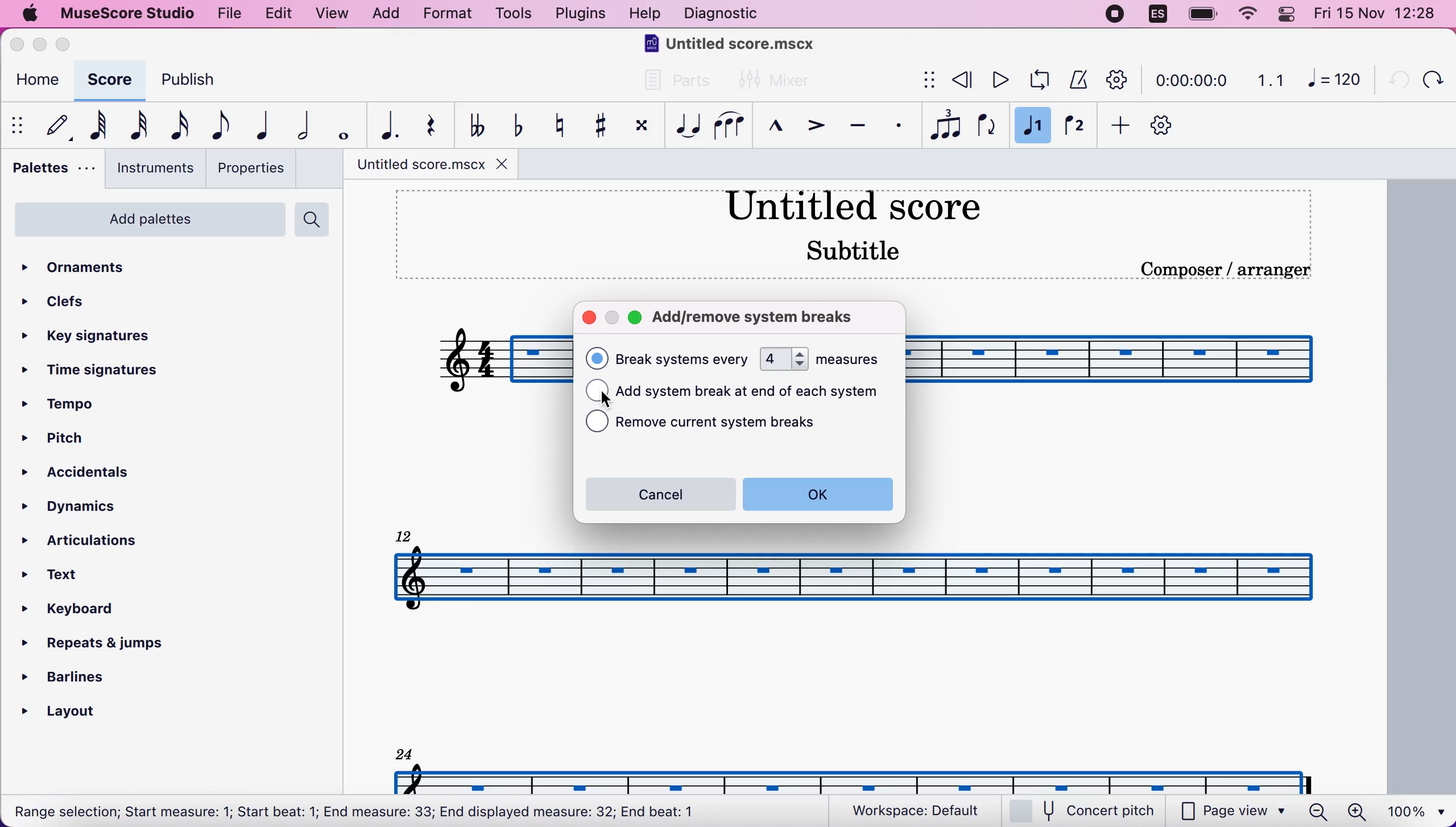  I want to click on repeats and jumps, so click(94, 639).